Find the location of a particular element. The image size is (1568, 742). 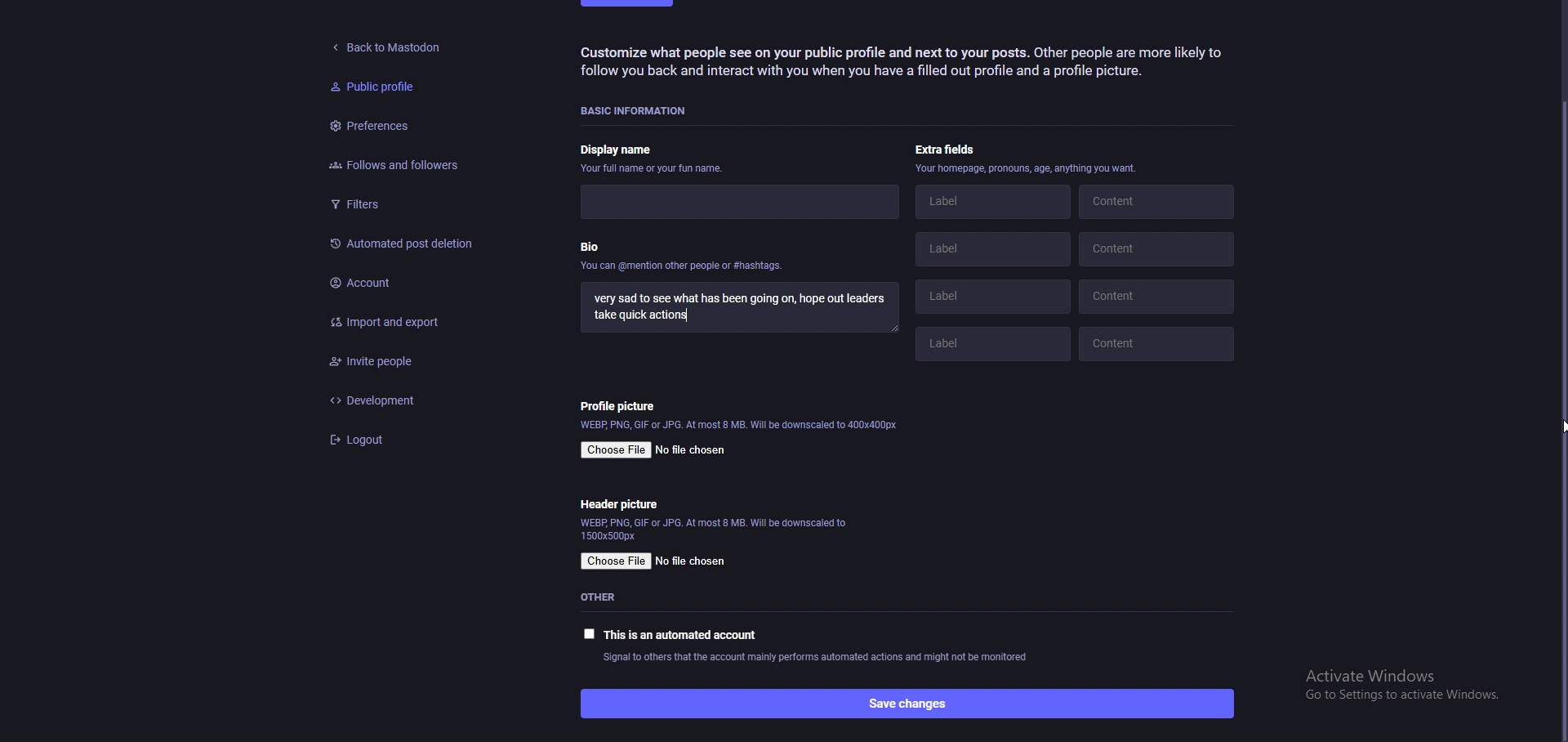

label is located at coordinates (998, 297).